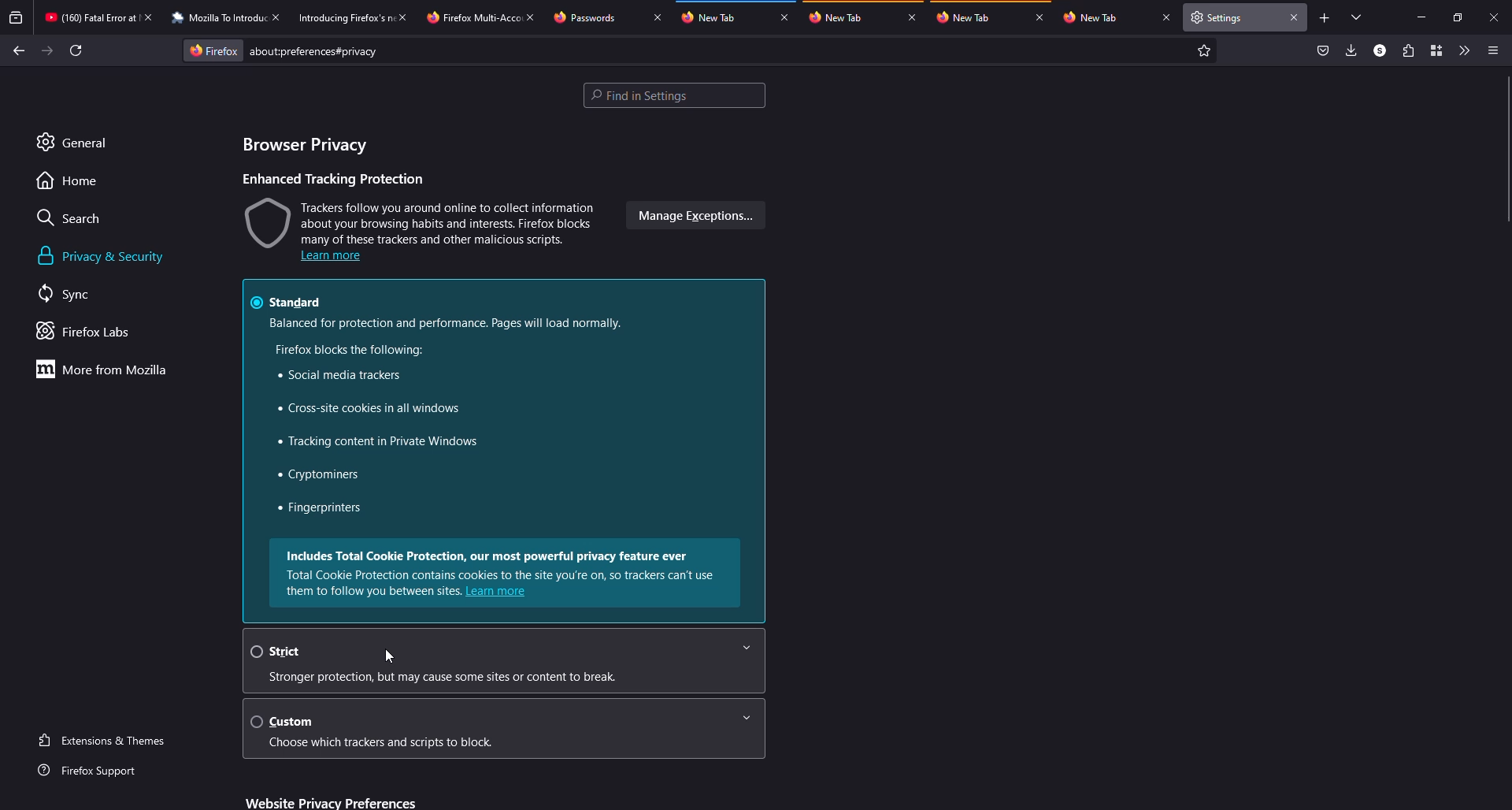 Image resolution: width=1512 pixels, height=810 pixels. I want to click on back, so click(15, 47).